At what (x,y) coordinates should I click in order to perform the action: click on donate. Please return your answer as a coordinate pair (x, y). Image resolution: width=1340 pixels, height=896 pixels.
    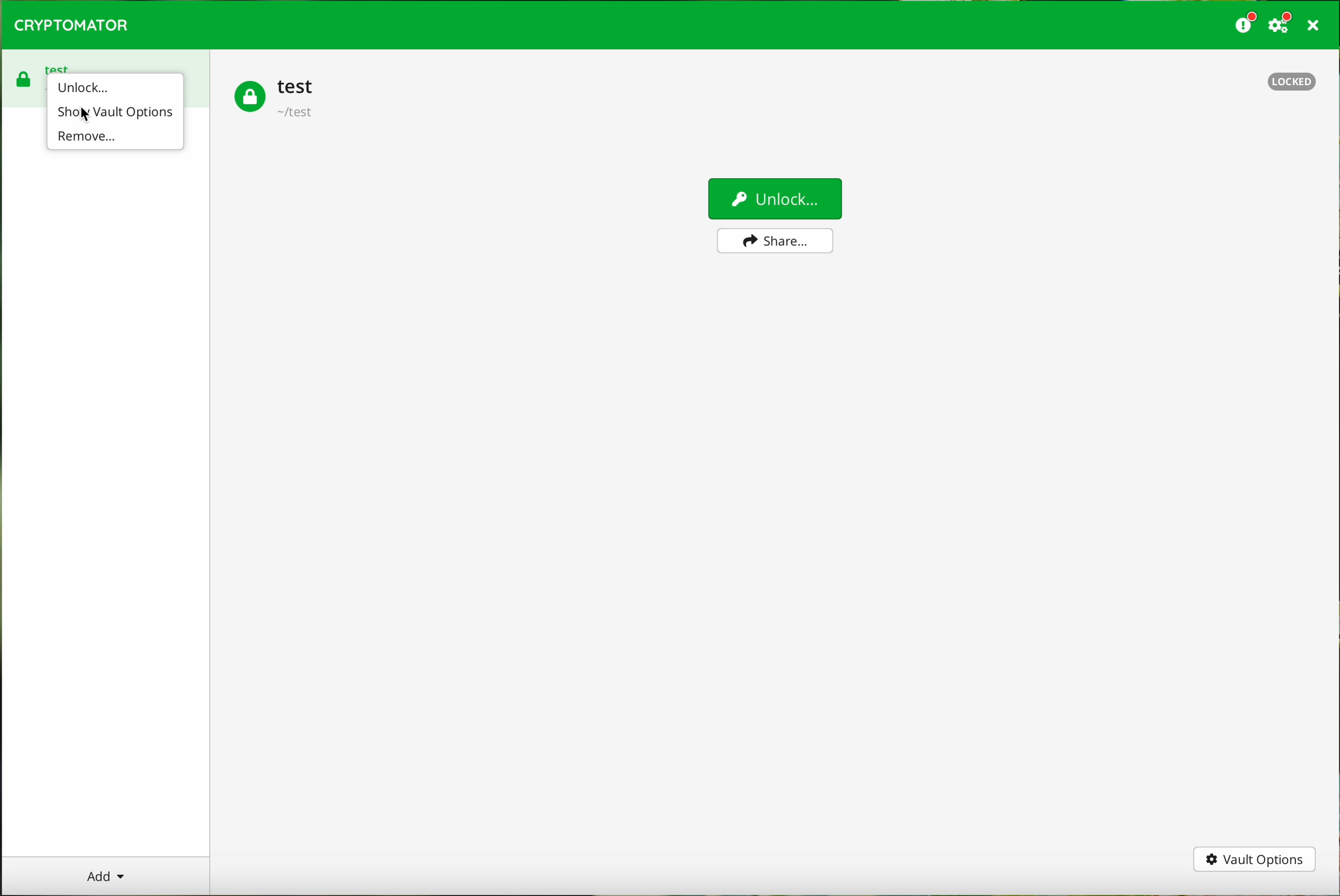
    Looking at the image, I should click on (1246, 23).